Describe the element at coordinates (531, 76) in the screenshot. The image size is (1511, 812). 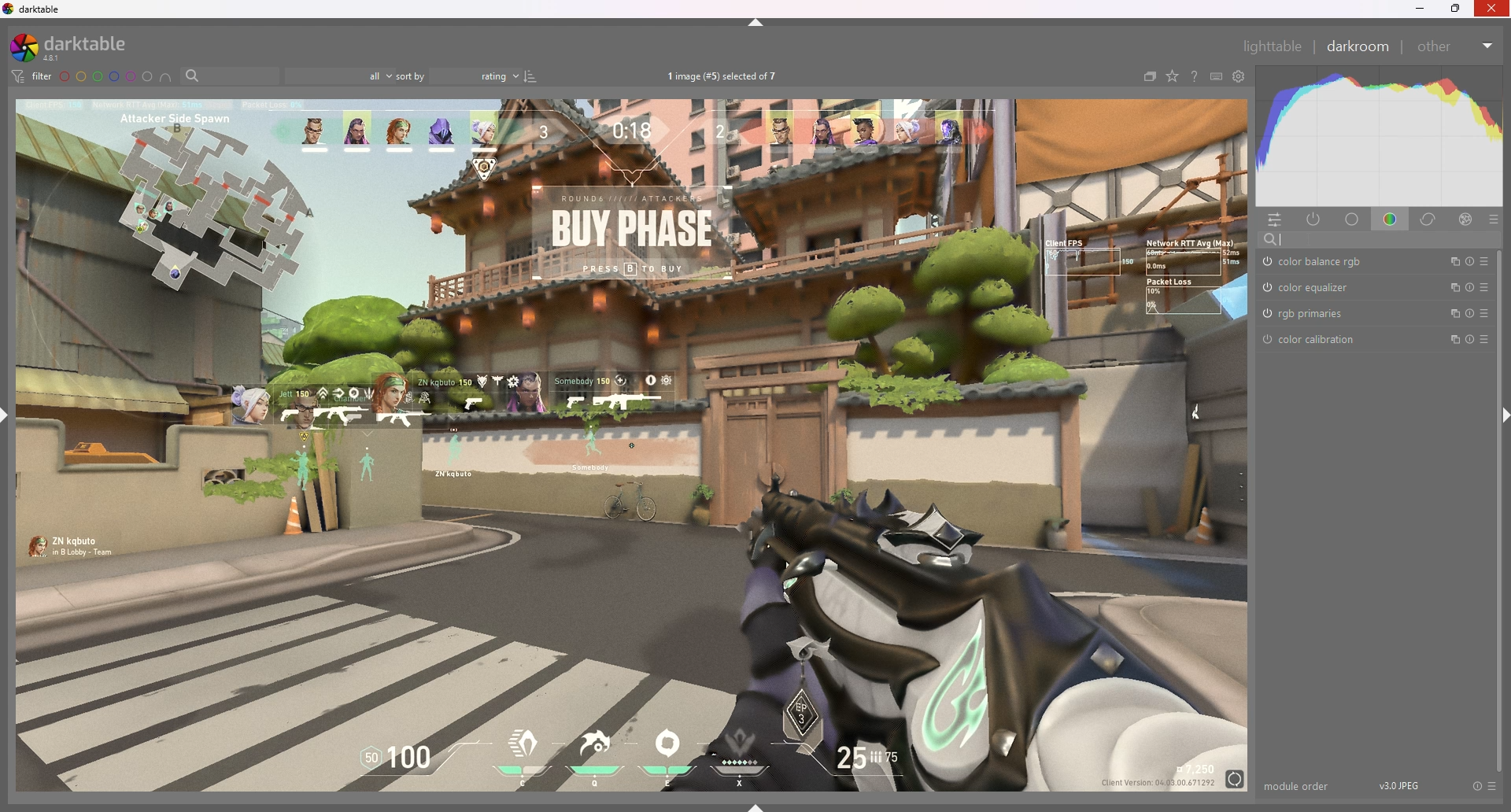
I see `reverse sort` at that location.